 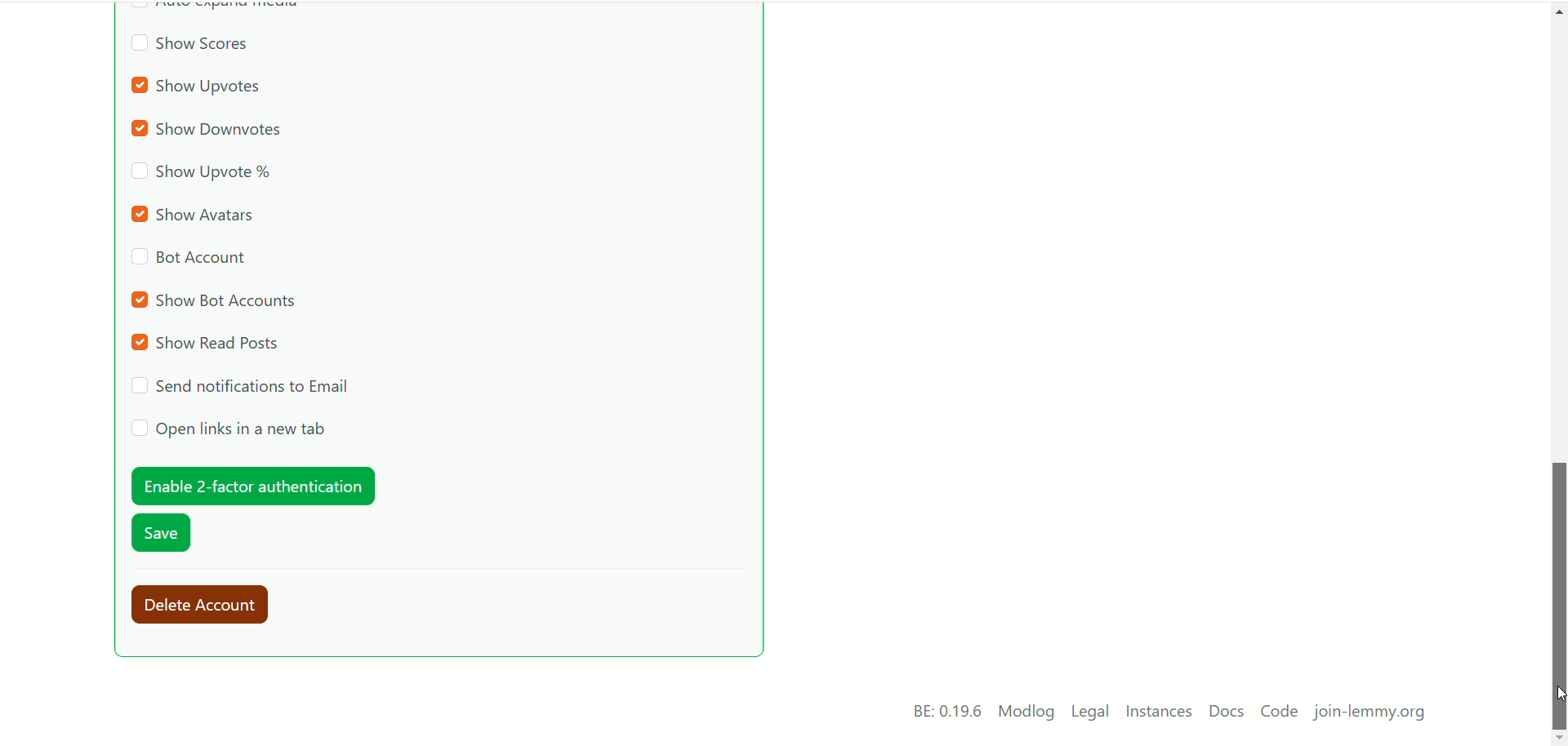 I want to click on JOIN-LEMMY.ORG, so click(x=1375, y=715).